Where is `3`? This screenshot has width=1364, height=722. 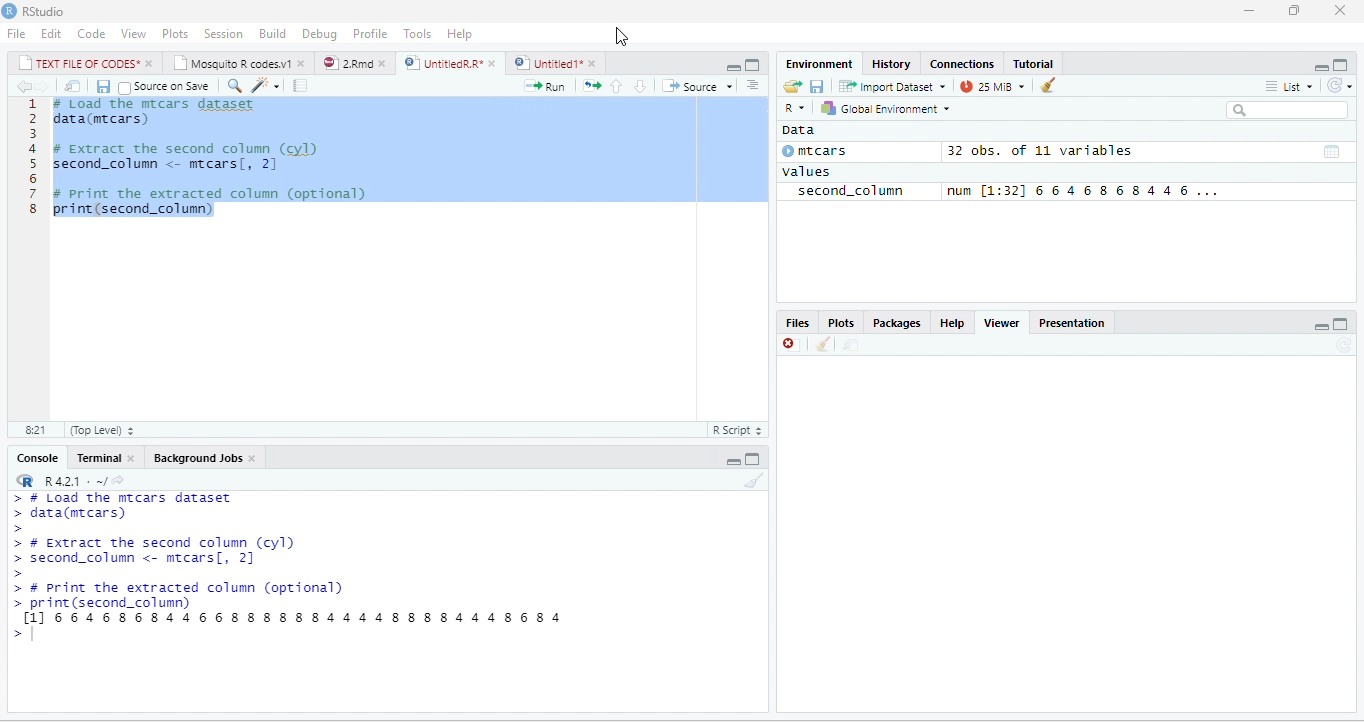 3 is located at coordinates (33, 134).